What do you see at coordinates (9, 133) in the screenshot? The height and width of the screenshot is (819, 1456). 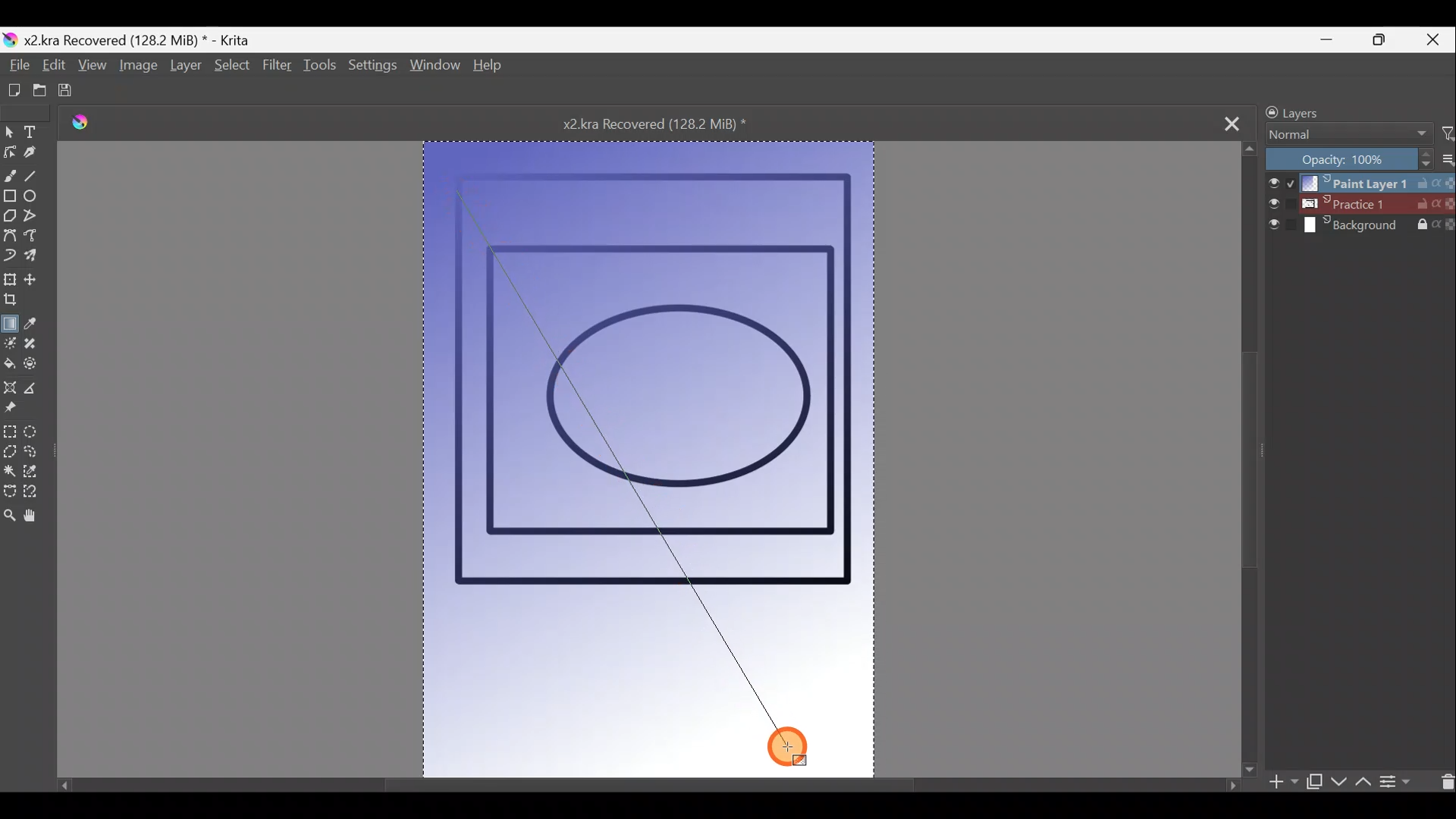 I see `Select shapes tool` at bounding box center [9, 133].